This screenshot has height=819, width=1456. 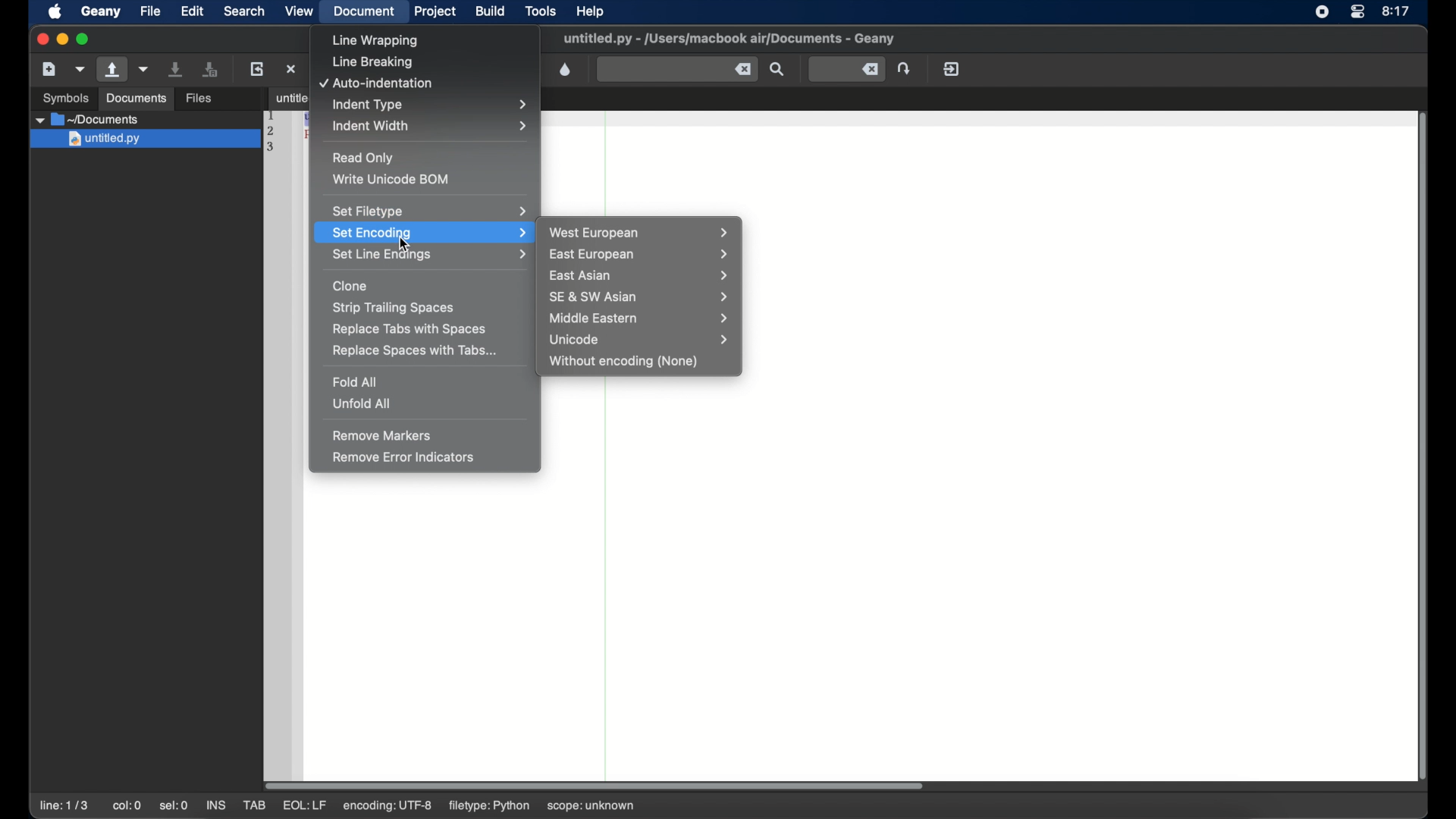 I want to click on set line endings menu, so click(x=428, y=255).